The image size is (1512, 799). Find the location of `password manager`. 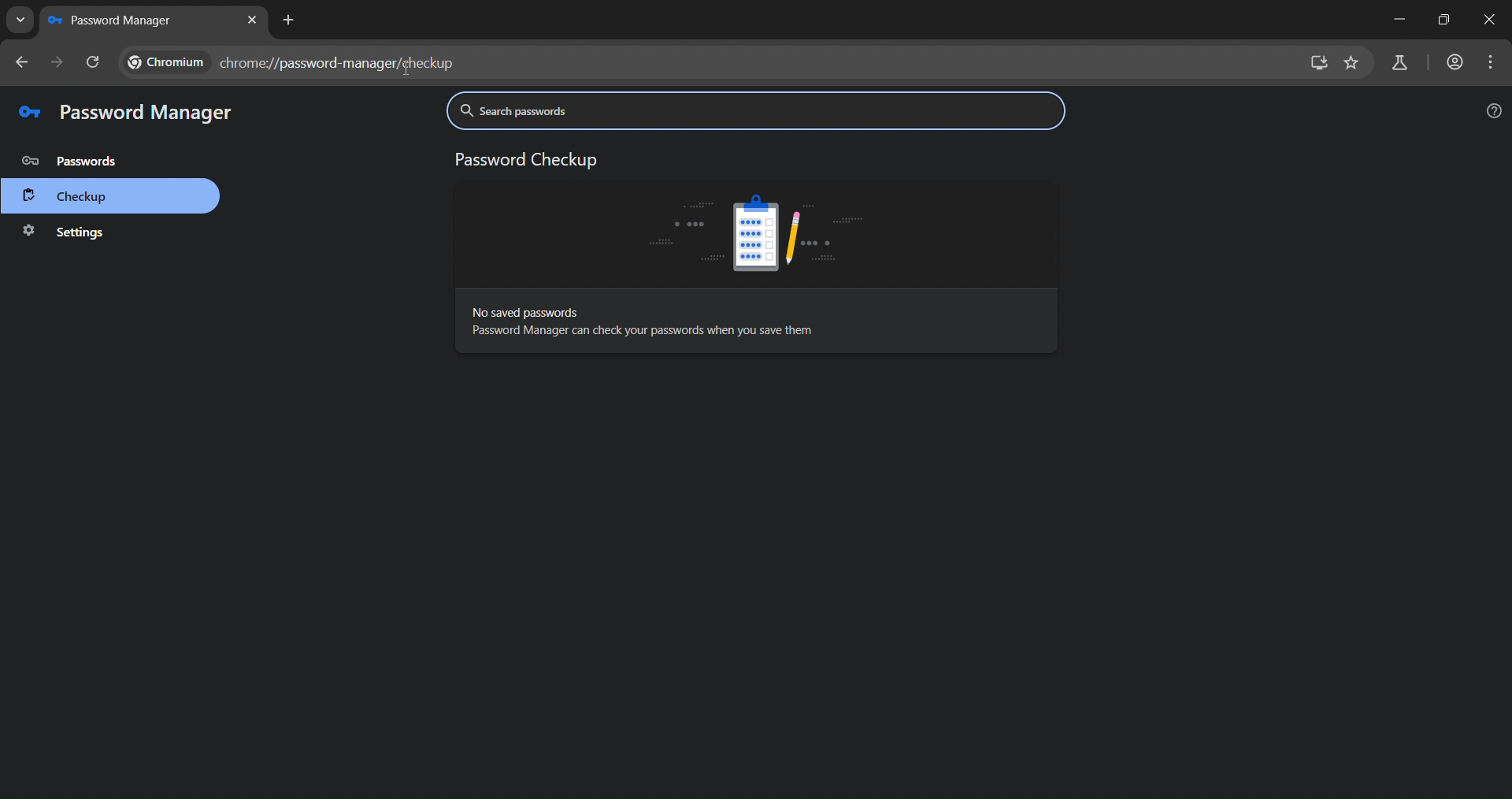

password manager is located at coordinates (124, 112).